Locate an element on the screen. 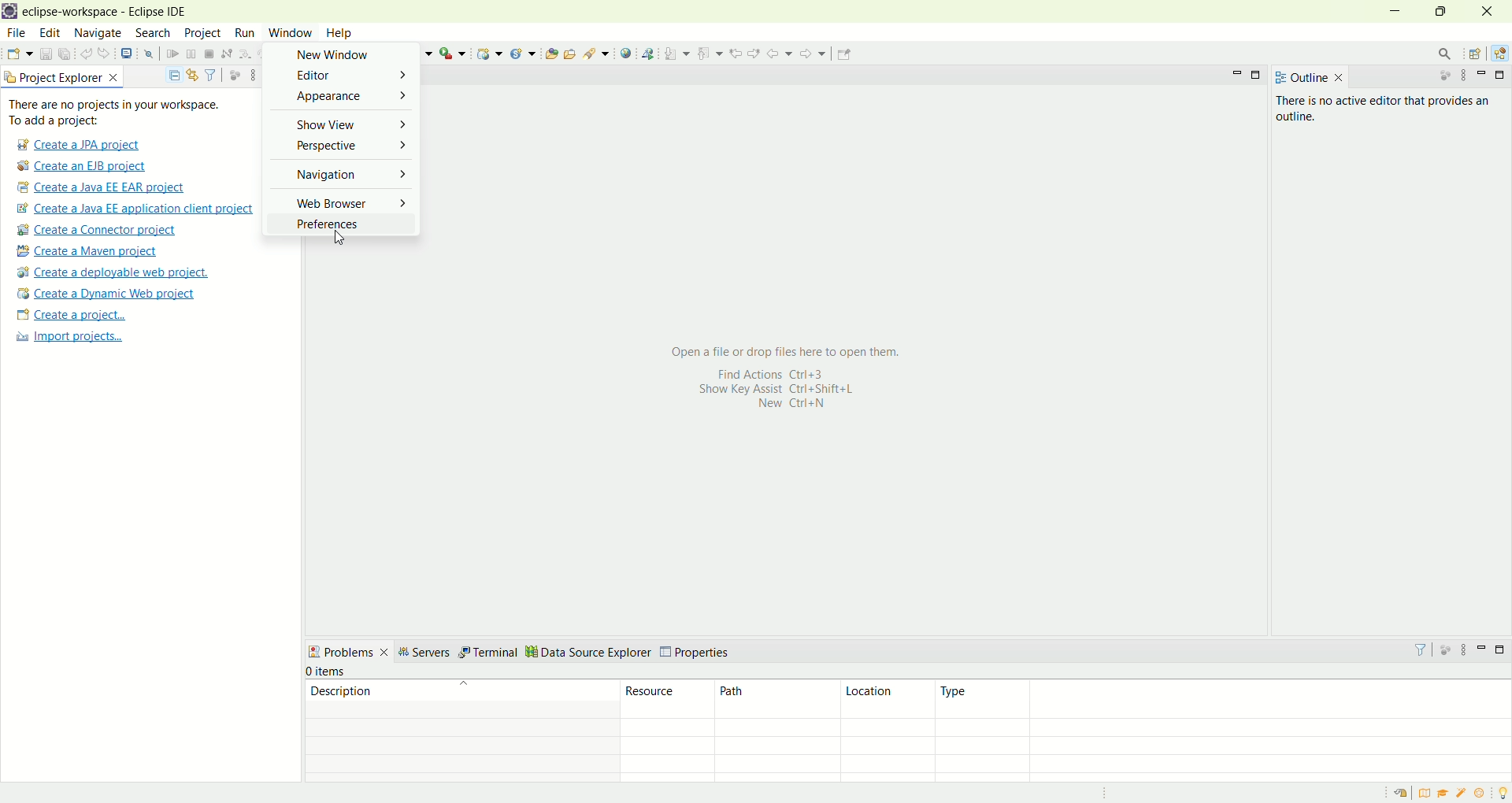 The image size is (1512, 803). open perspective is located at coordinates (1477, 55).